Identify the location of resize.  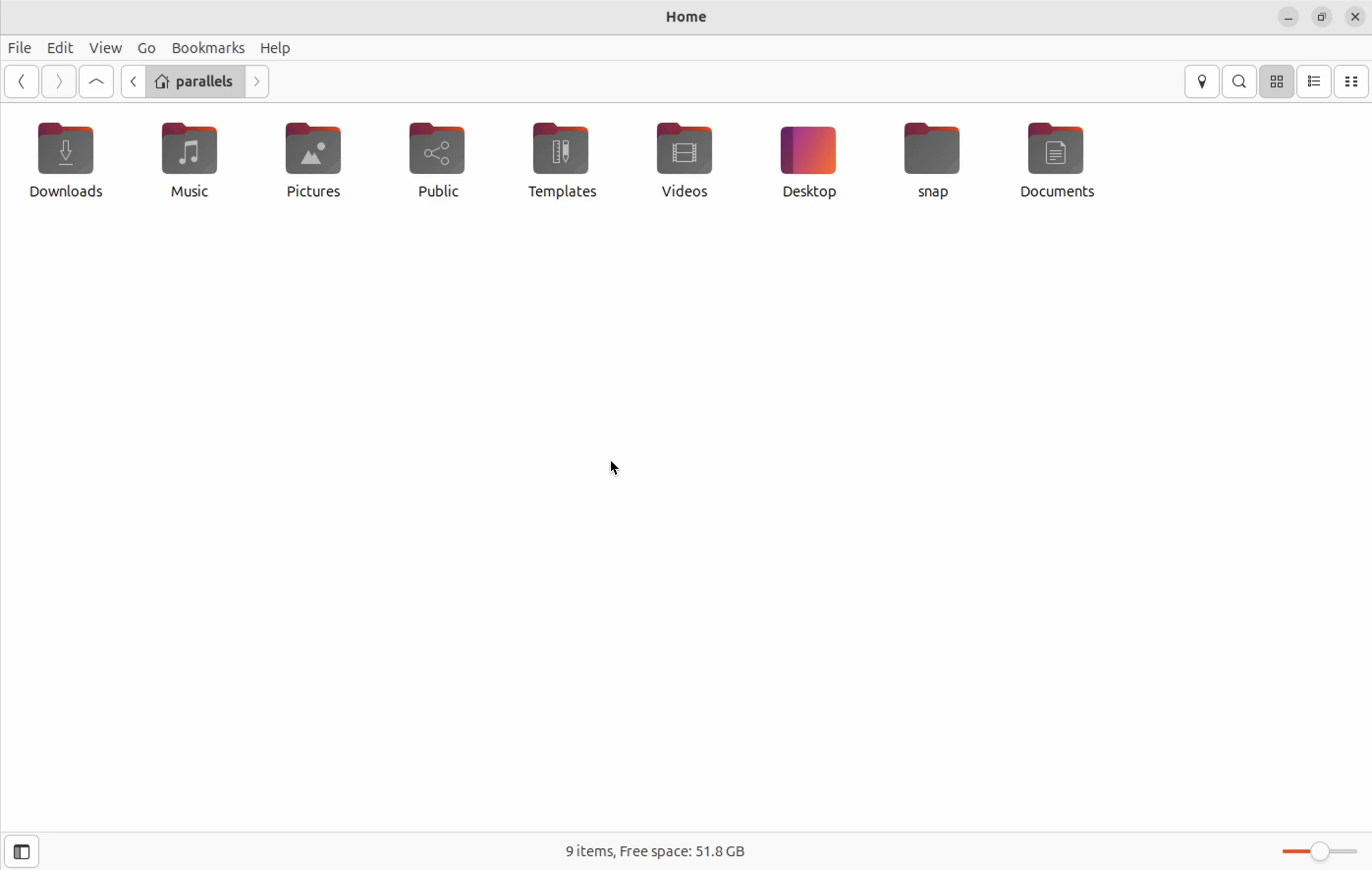
(1321, 18).